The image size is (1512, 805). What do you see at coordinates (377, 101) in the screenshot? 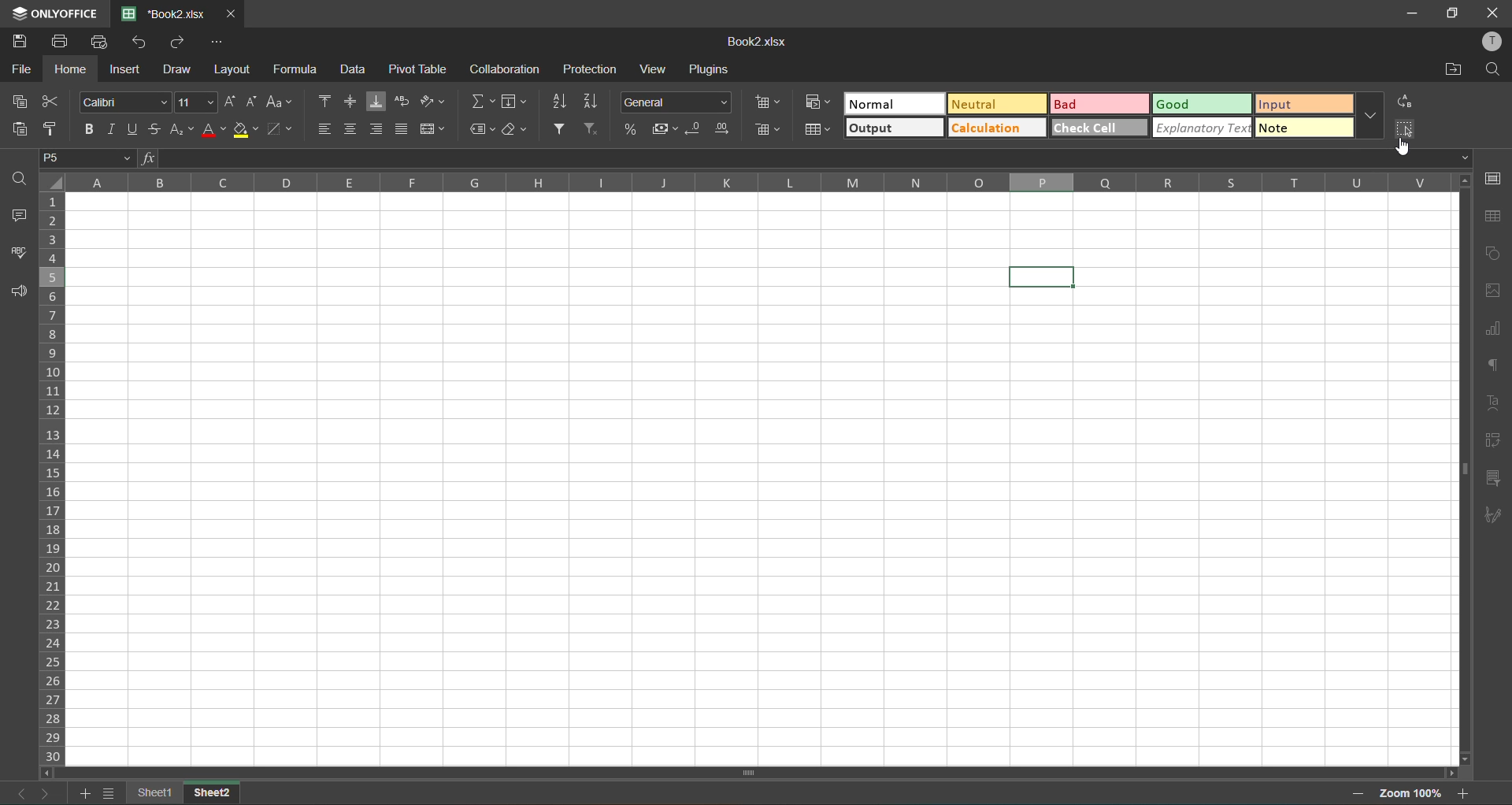
I see `align bottom` at bounding box center [377, 101].